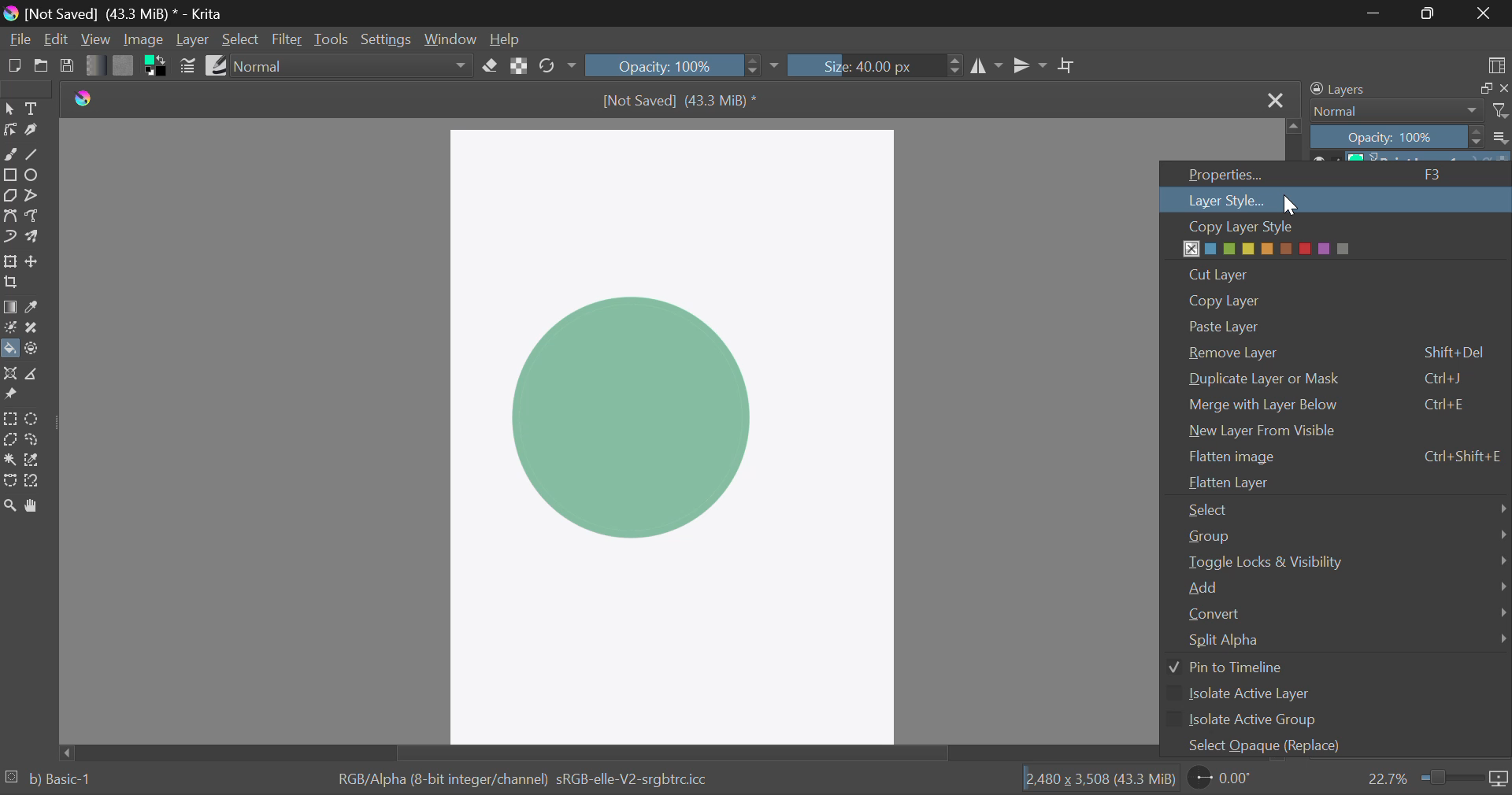 This screenshot has height=795, width=1512. What do you see at coordinates (32, 328) in the screenshot?
I see `Smart Patch Tool` at bounding box center [32, 328].